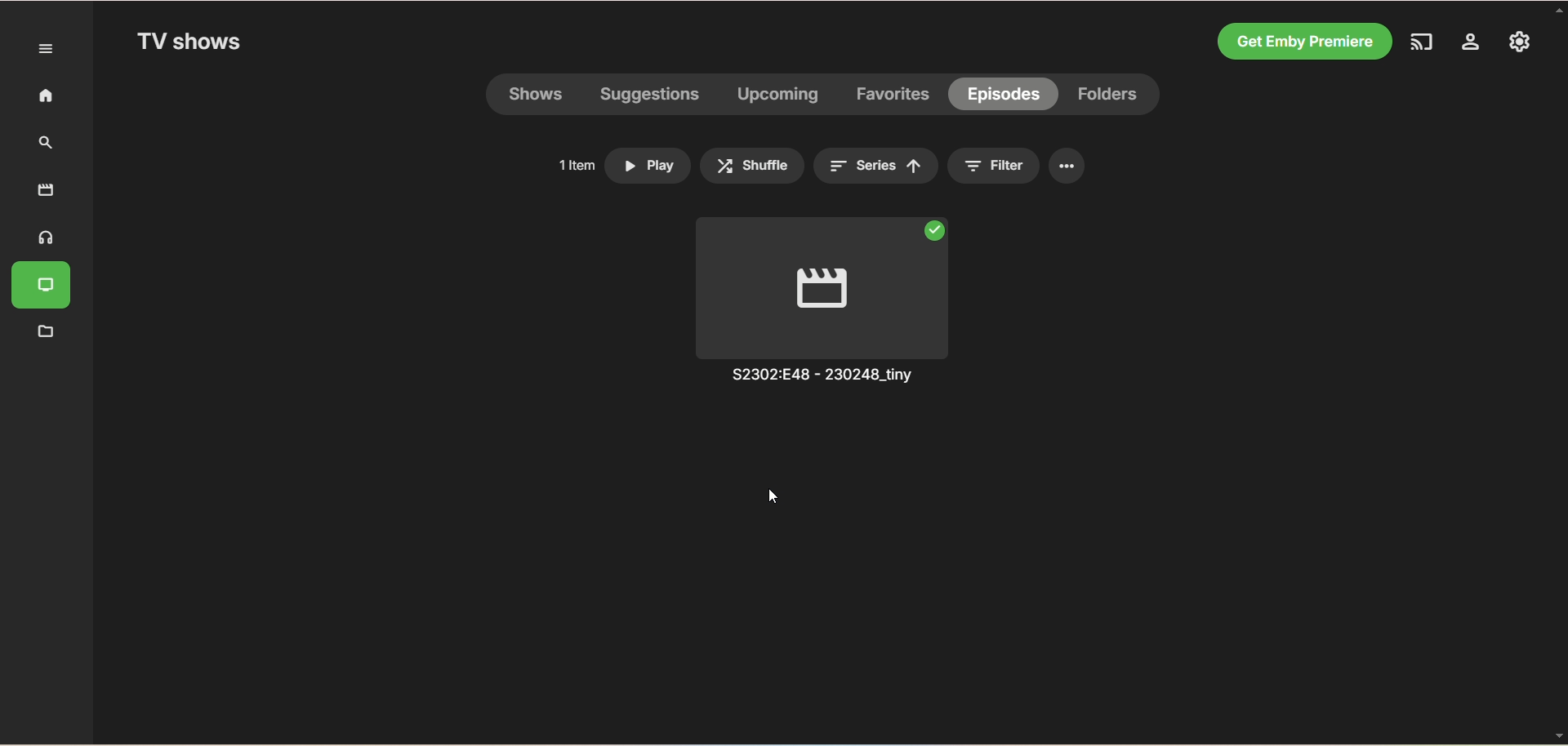 The width and height of the screenshot is (1568, 746). Describe the element at coordinates (895, 95) in the screenshot. I see `favorites` at that location.